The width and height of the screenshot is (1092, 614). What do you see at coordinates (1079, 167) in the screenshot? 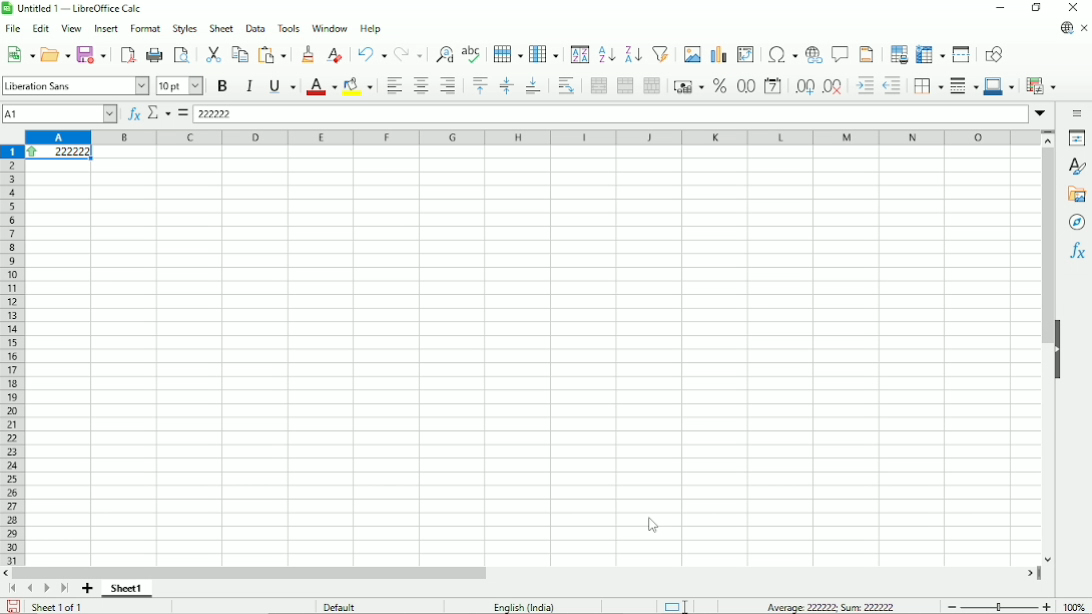
I see `Styles` at bounding box center [1079, 167].